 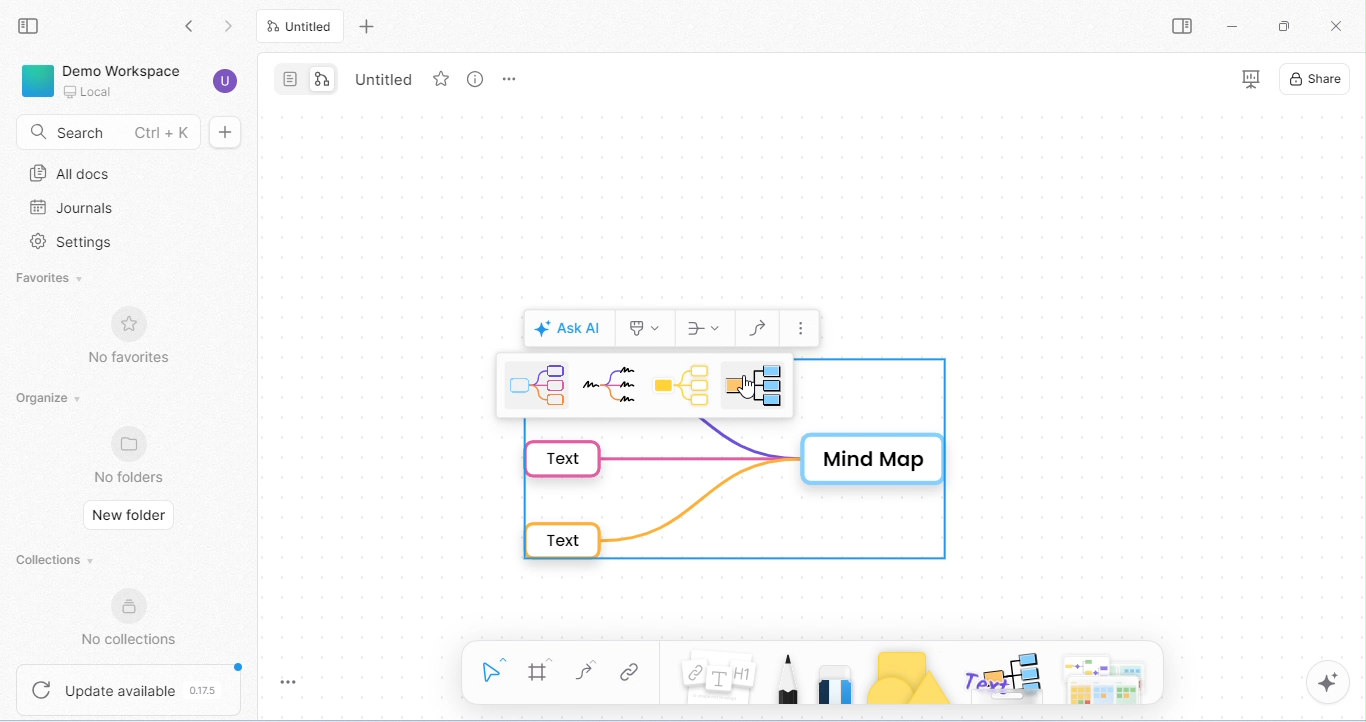 What do you see at coordinates (392, 79) in the screenshot?
I see `tab name` at bounding box center [392, 79].